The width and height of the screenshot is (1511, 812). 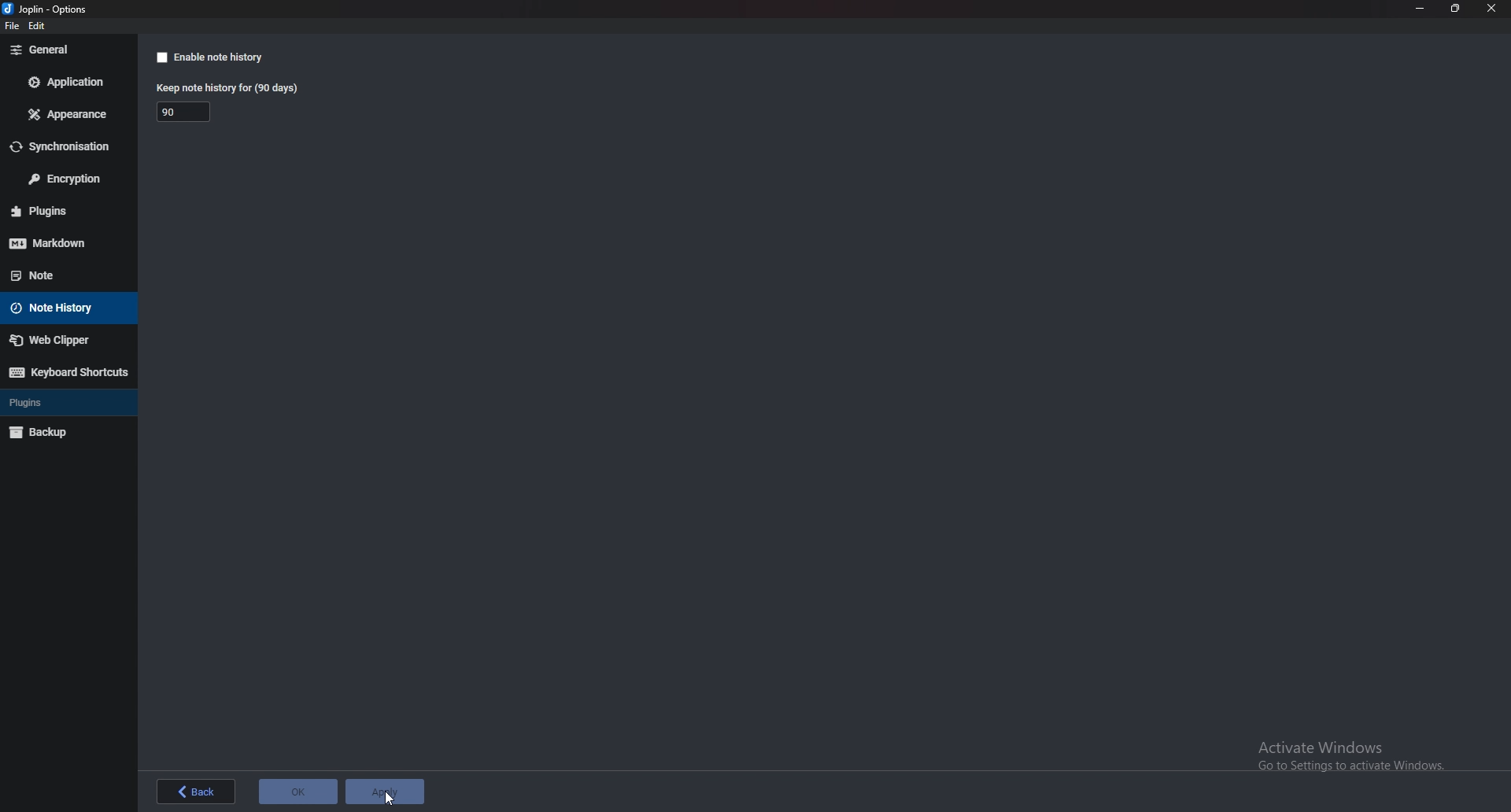 What do you see at coordinates (69, 307) in the screenshot?
I see `Note history` at bounding box center [69, 307].